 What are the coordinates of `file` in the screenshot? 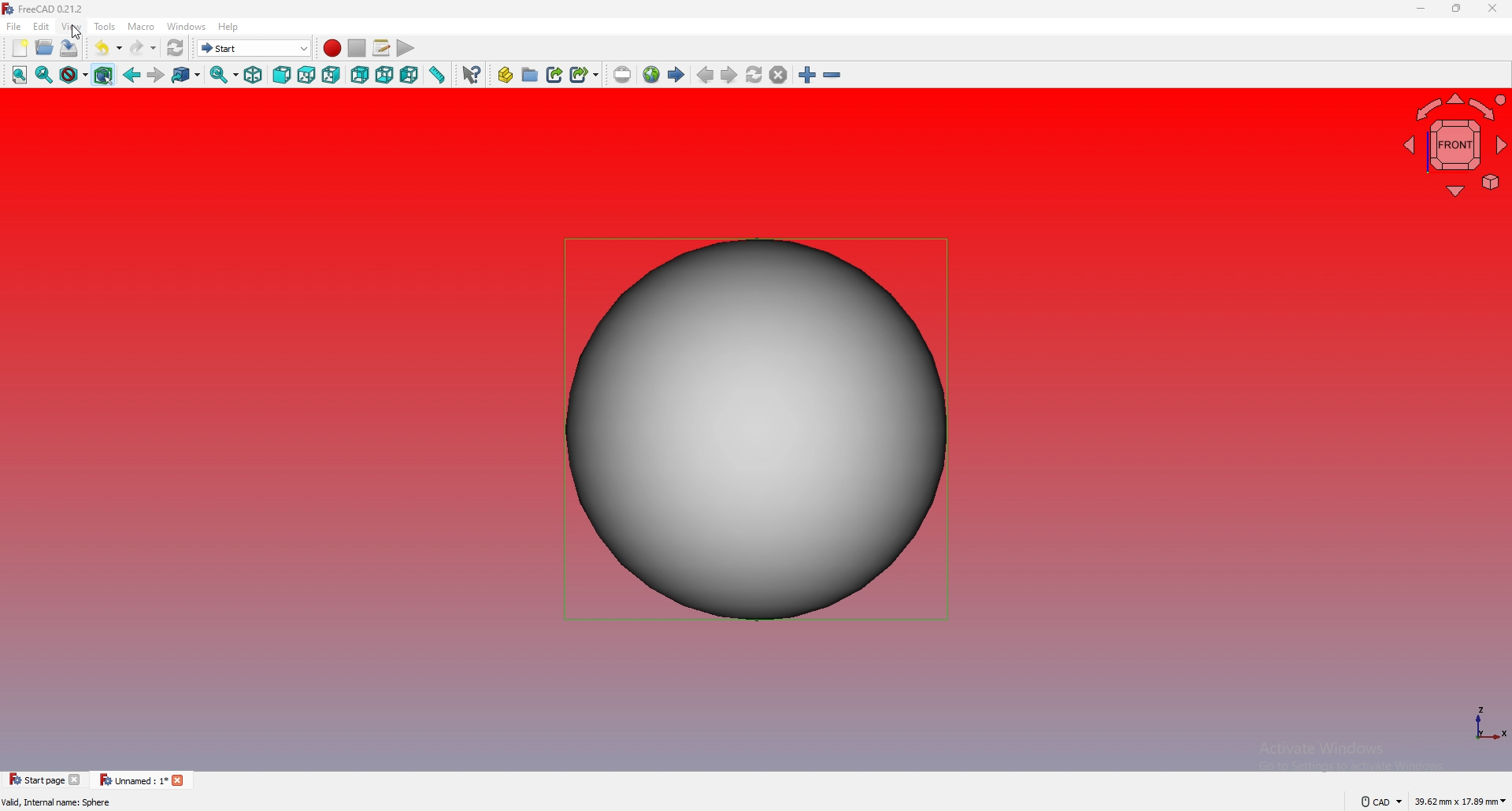 It's located at (14, 27).